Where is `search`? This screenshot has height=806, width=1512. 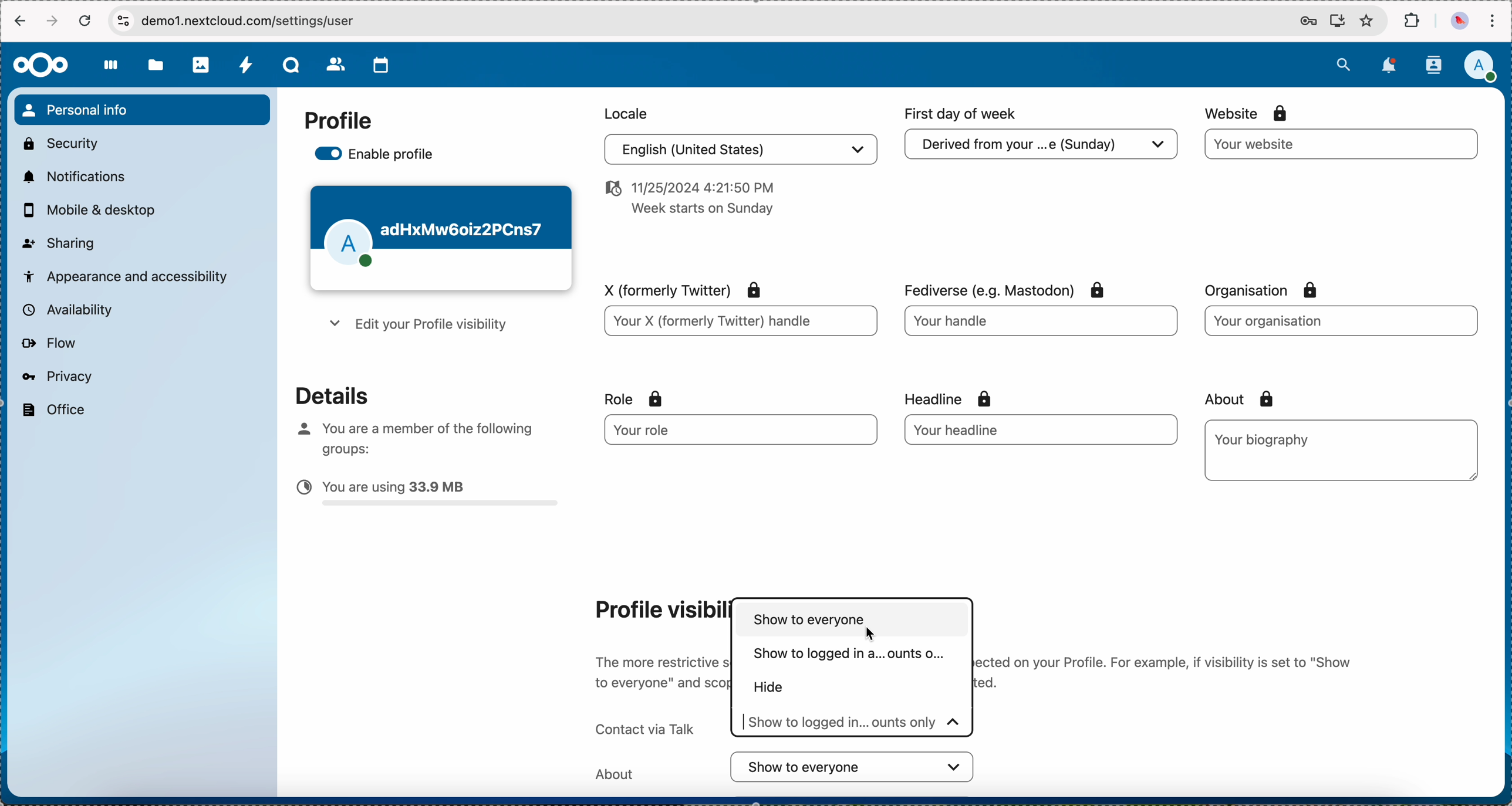 search is located at coordinates (1343, 63).